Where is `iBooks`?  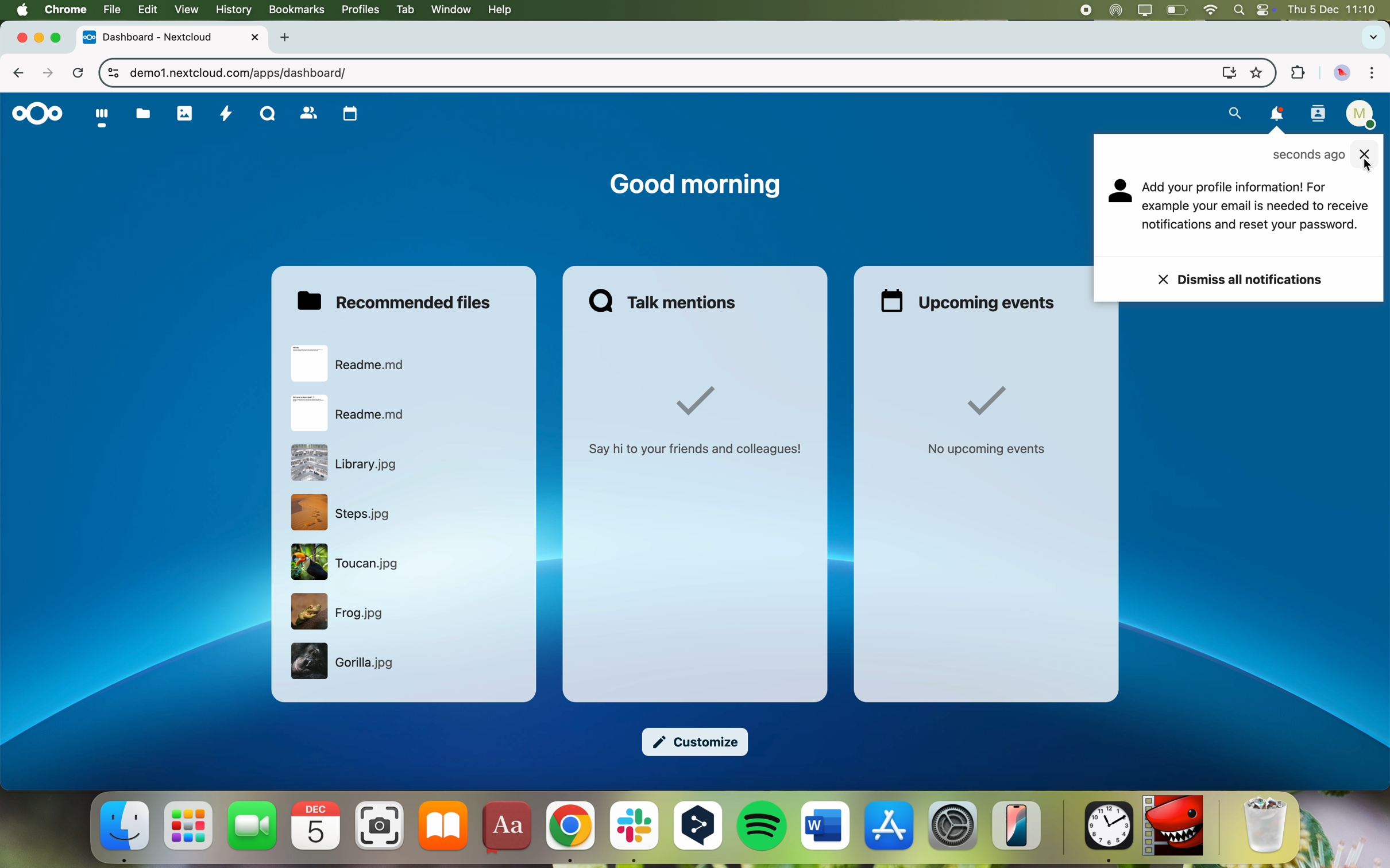 iBooks is located at coordinates (444, 826).